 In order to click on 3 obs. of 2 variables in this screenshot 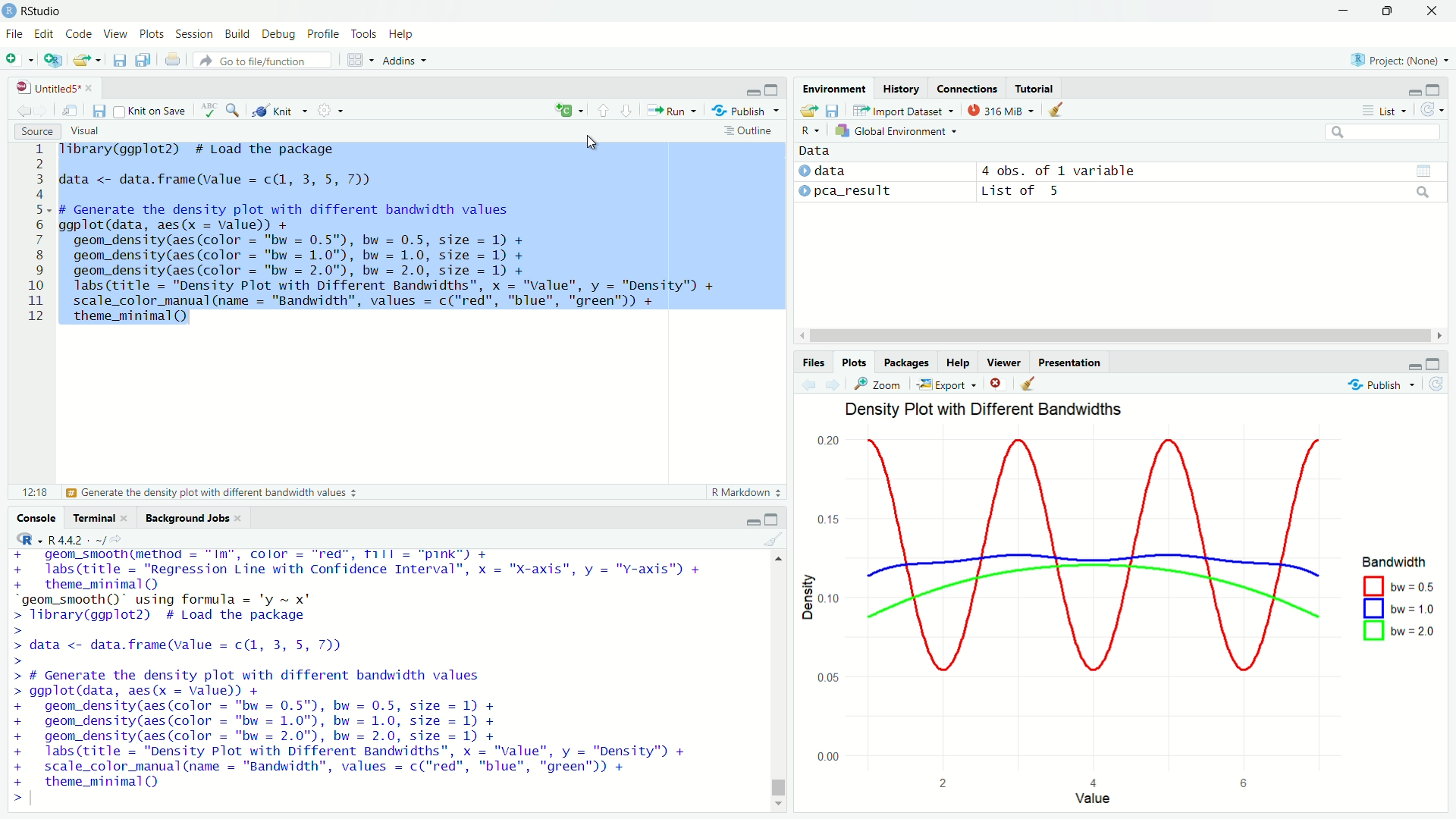, I will do `click(1062, 171)`.